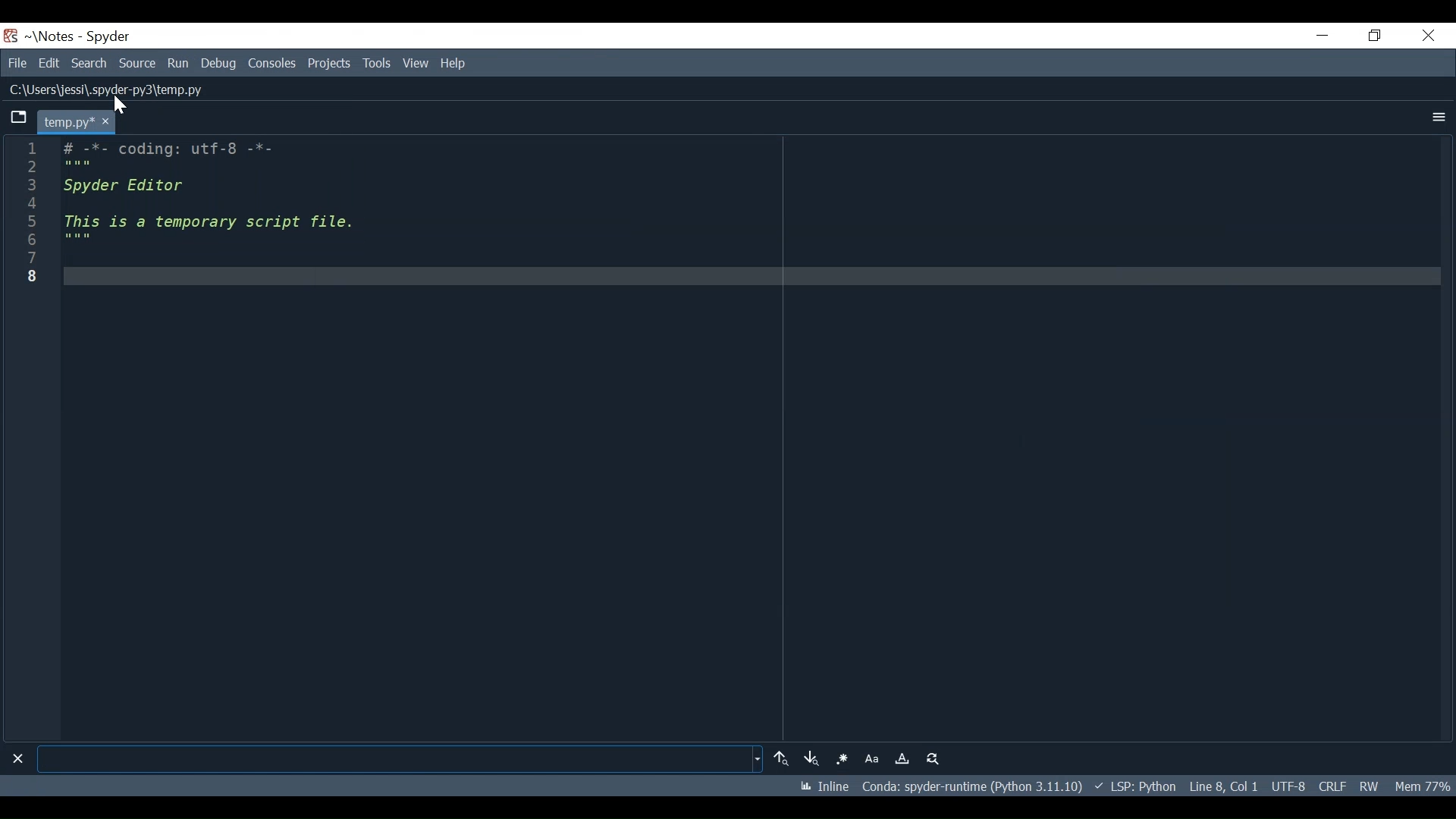  I want to click on Source, so click(136, 64).